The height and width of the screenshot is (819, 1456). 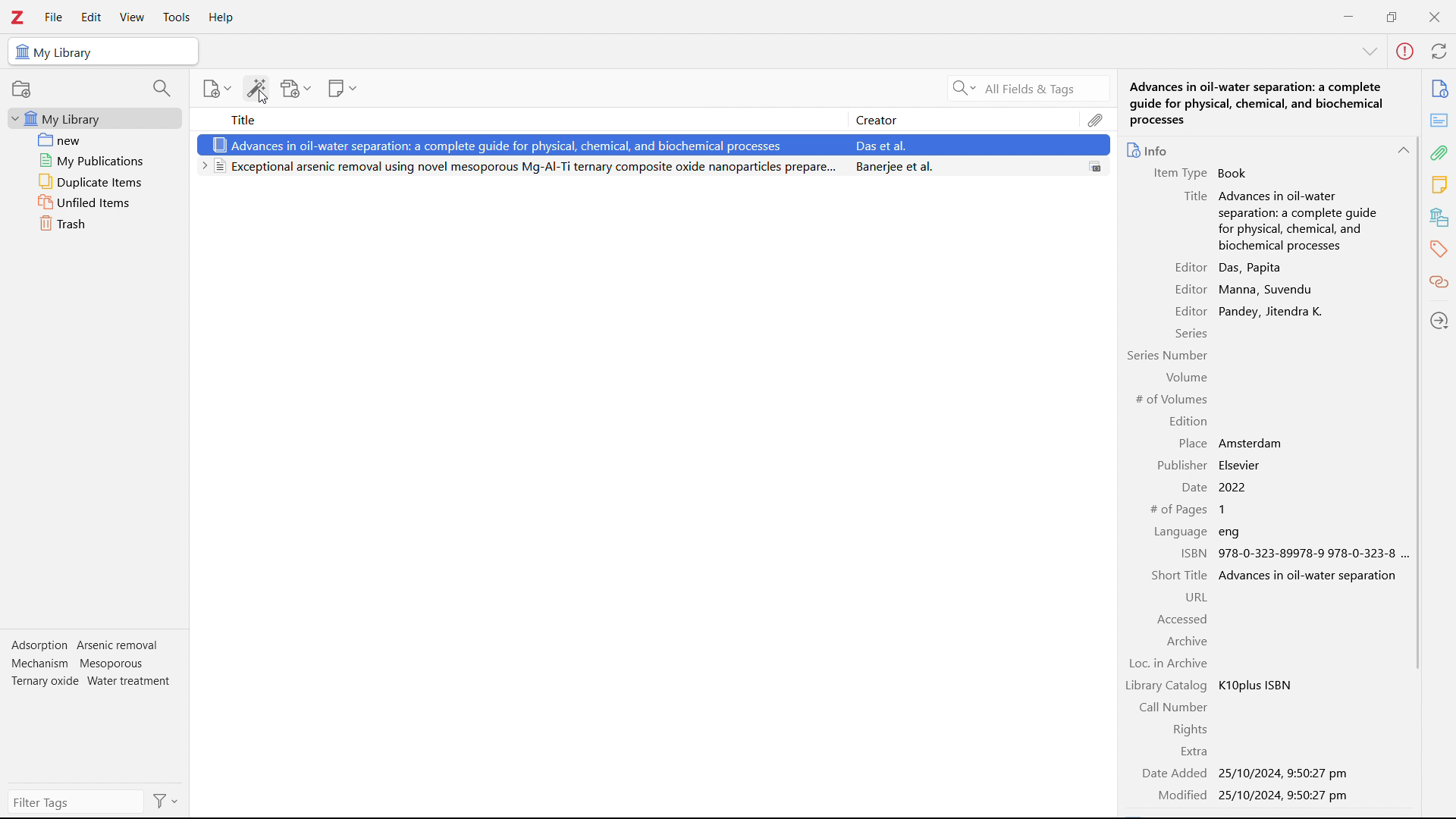 What do you see at coordinates (163, 88) in the screenshot?
I see `filter collections` at bounding box center [163, 88].